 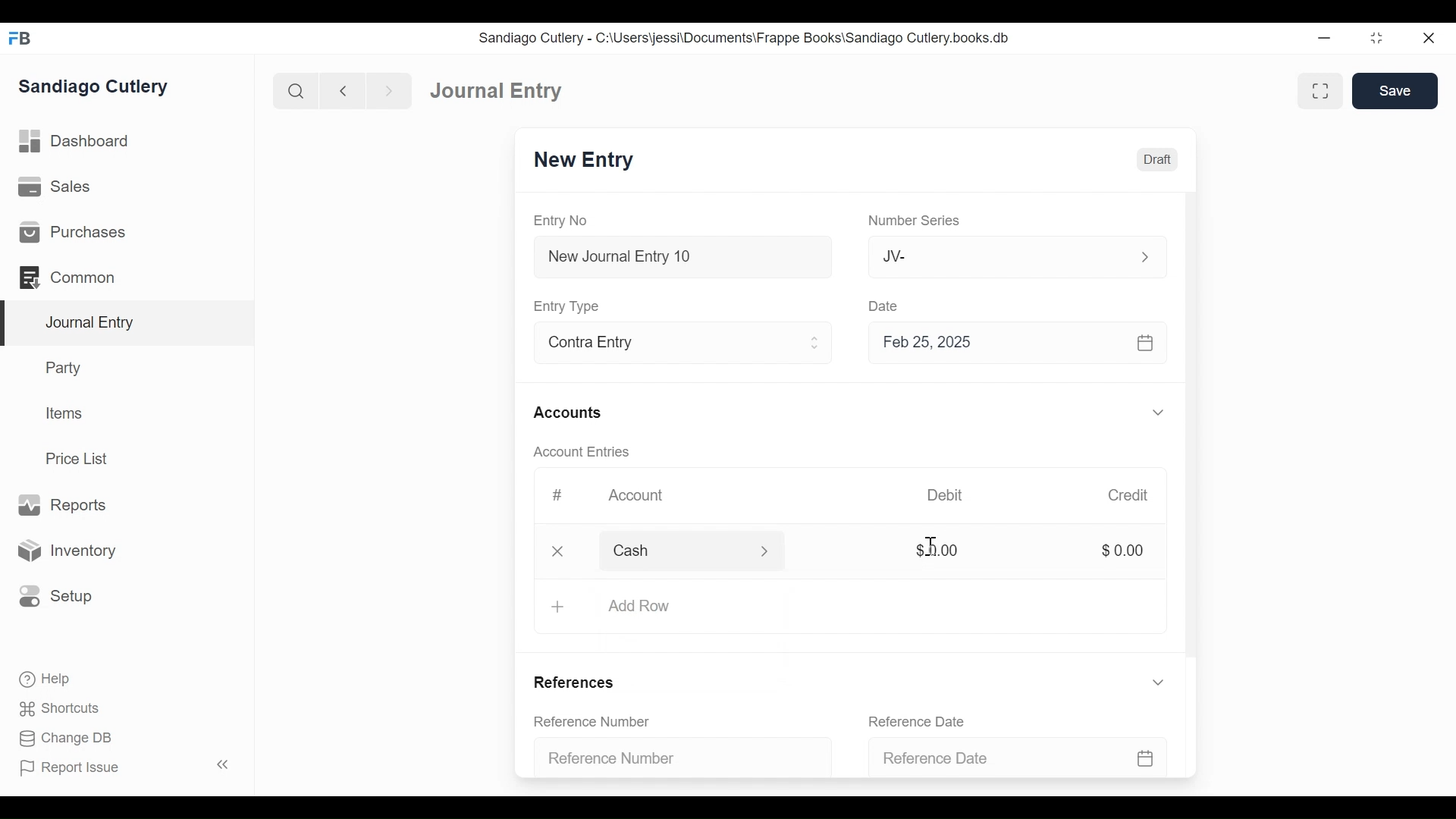 I want to click on Reports, so click(x=61, y=504).